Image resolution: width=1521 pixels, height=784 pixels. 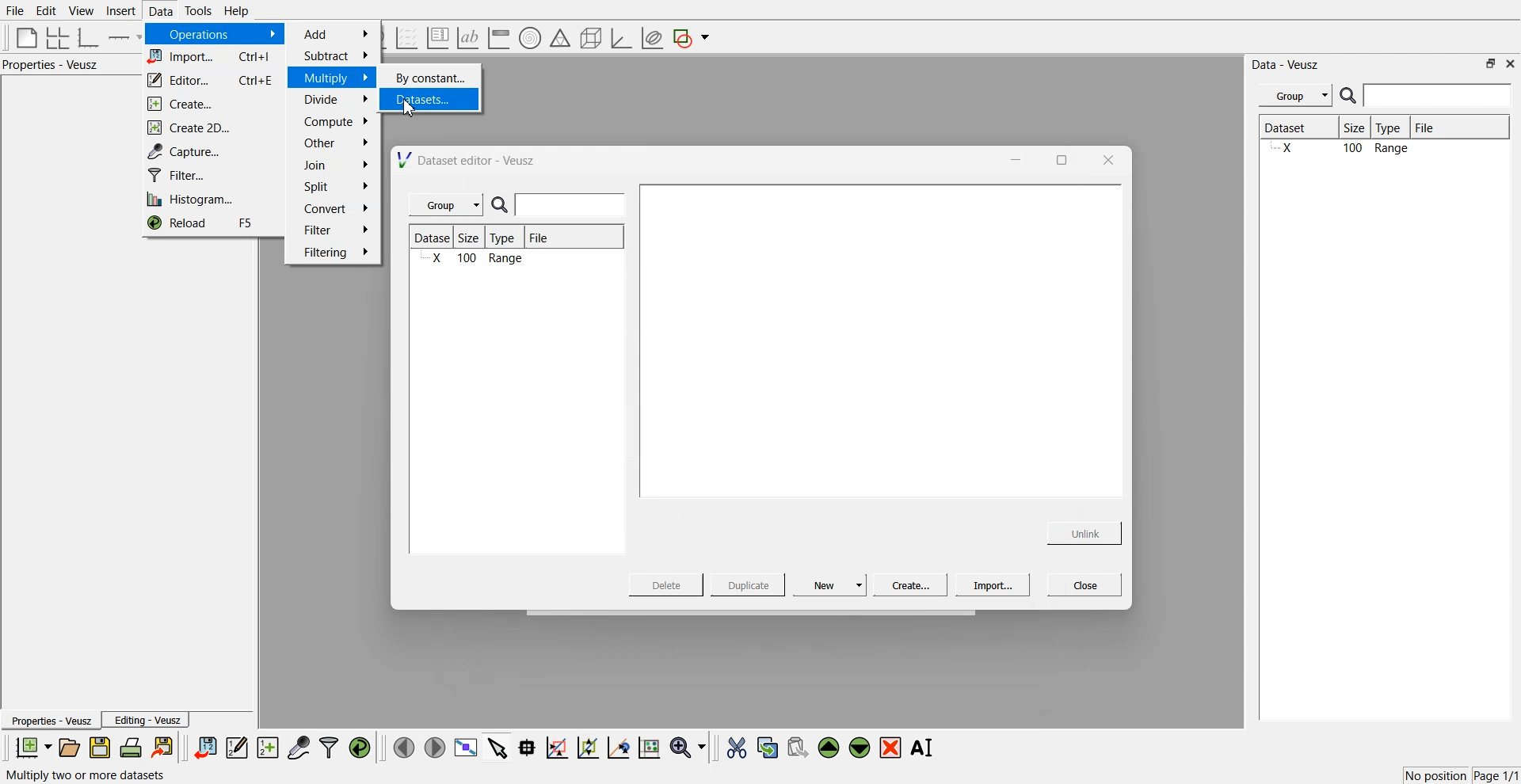 I want to click on edit and enter data points, so click(x=237, y=749).